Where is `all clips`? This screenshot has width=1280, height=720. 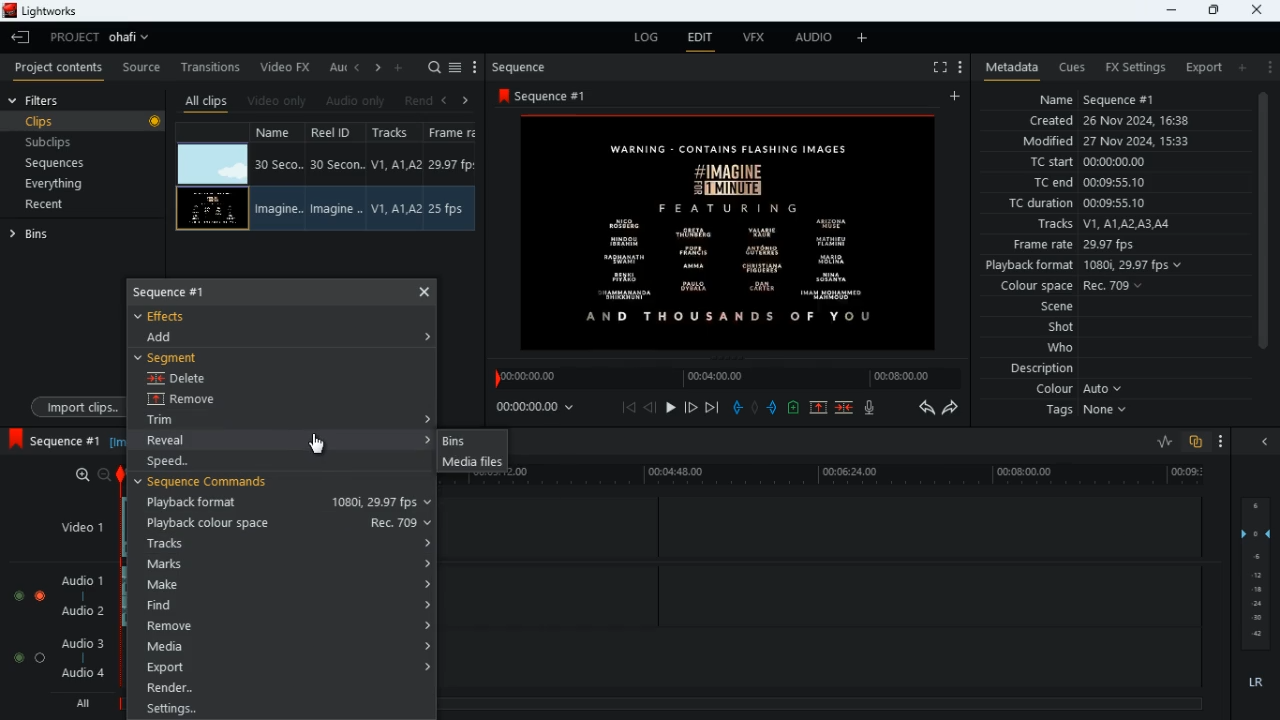 all clips is located at coordinates (206, 100).